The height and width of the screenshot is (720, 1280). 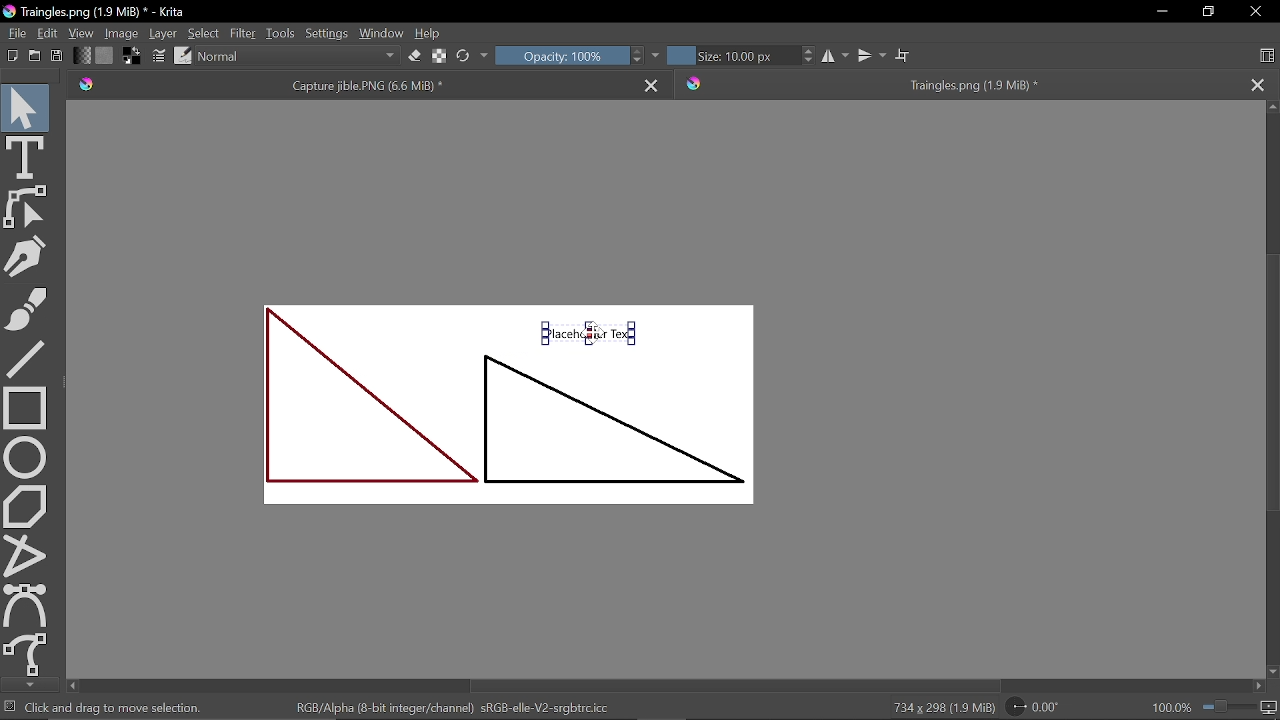 I want to click on Cursor, so click(x=588, y=336).